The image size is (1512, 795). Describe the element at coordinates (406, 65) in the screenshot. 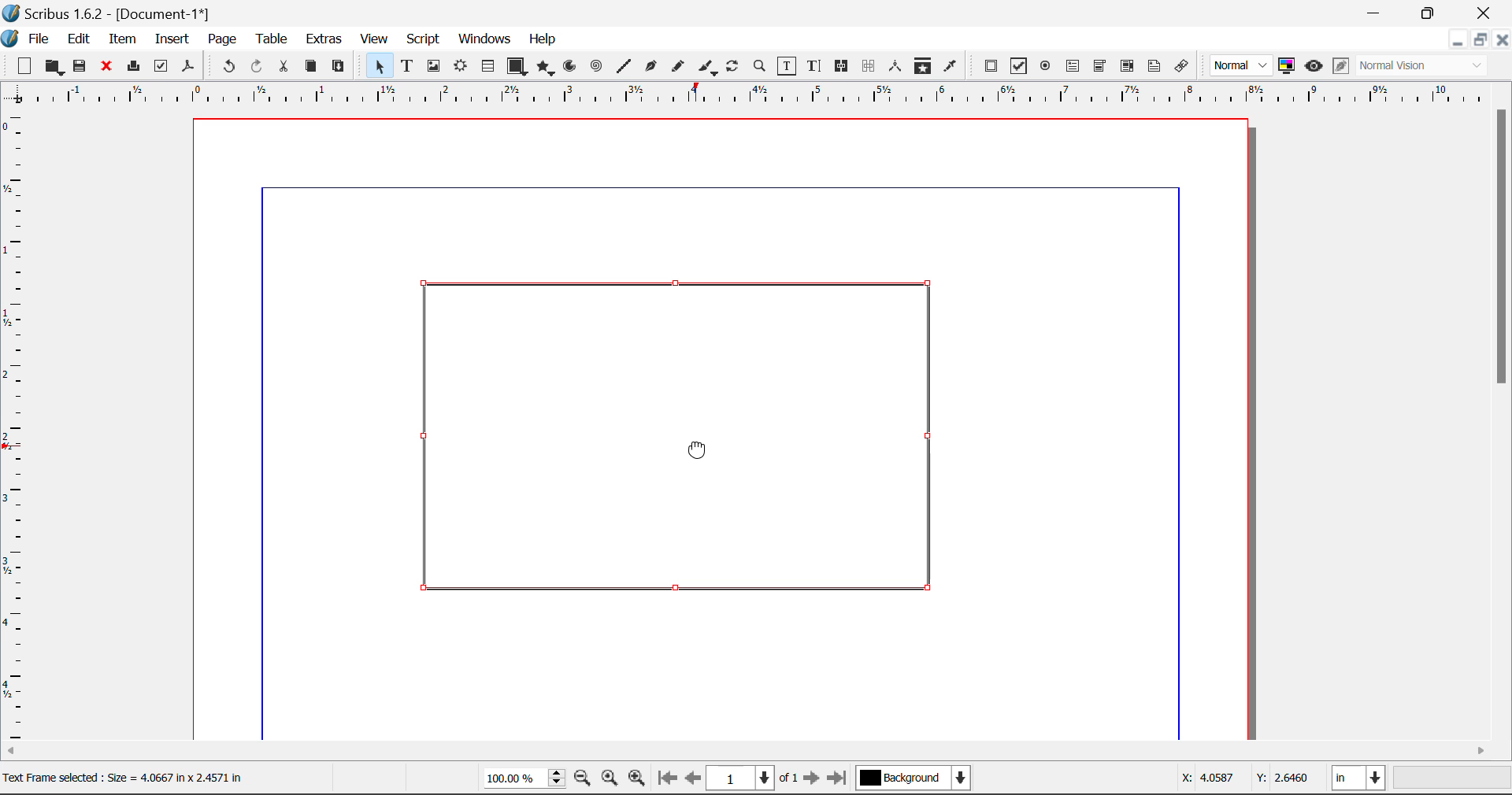

I see `Text Frame Selected` at that location.